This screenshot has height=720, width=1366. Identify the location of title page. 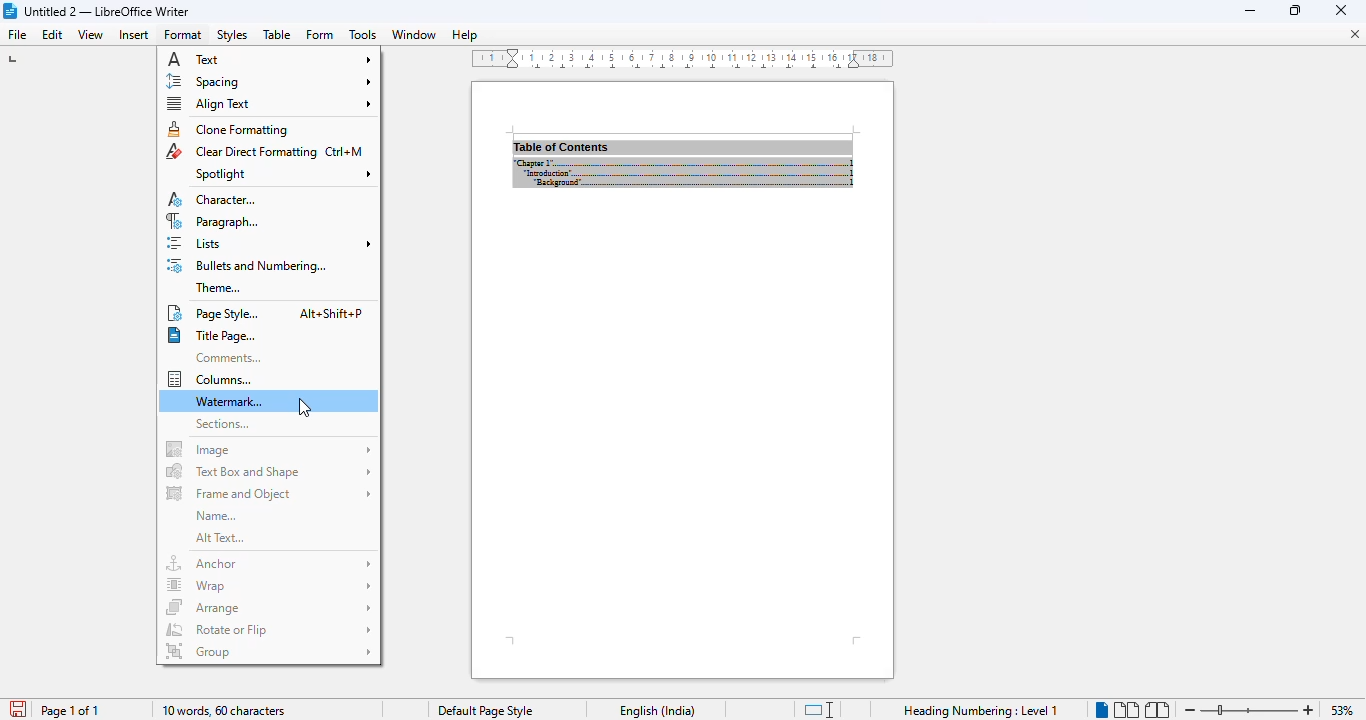
(210, 336).